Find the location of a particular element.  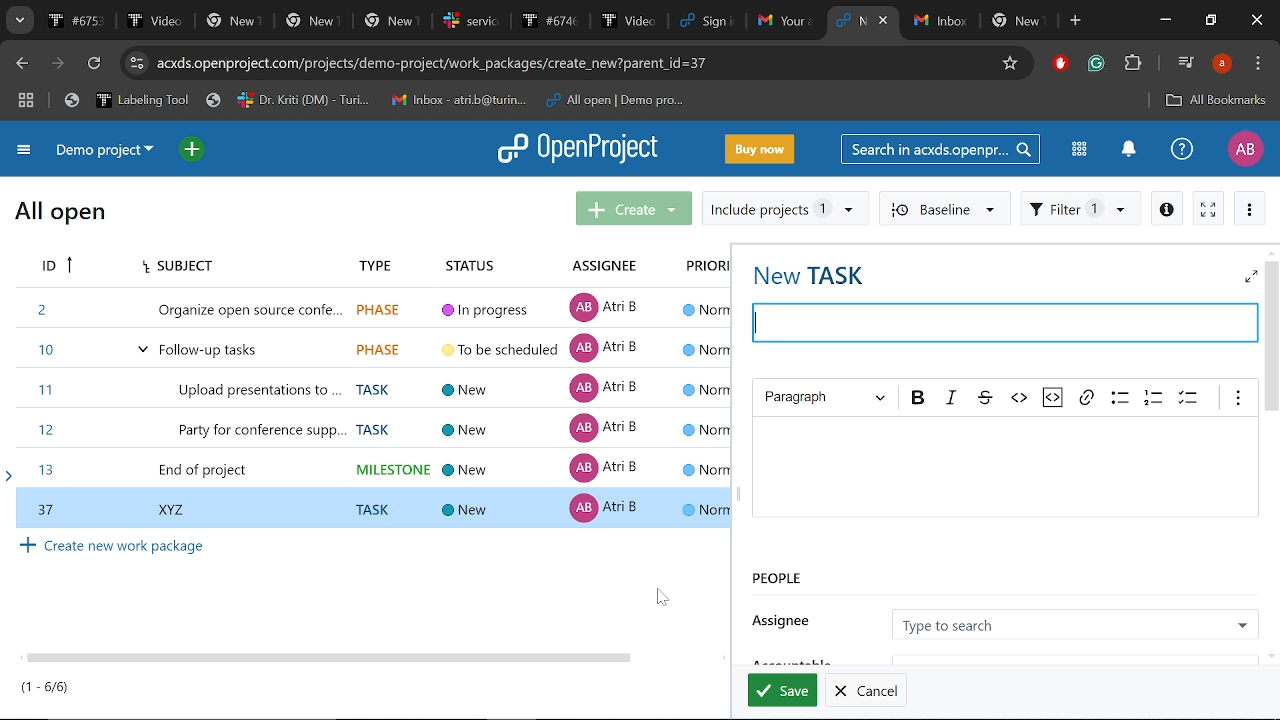

profile is located at coordinates (1222, 63).